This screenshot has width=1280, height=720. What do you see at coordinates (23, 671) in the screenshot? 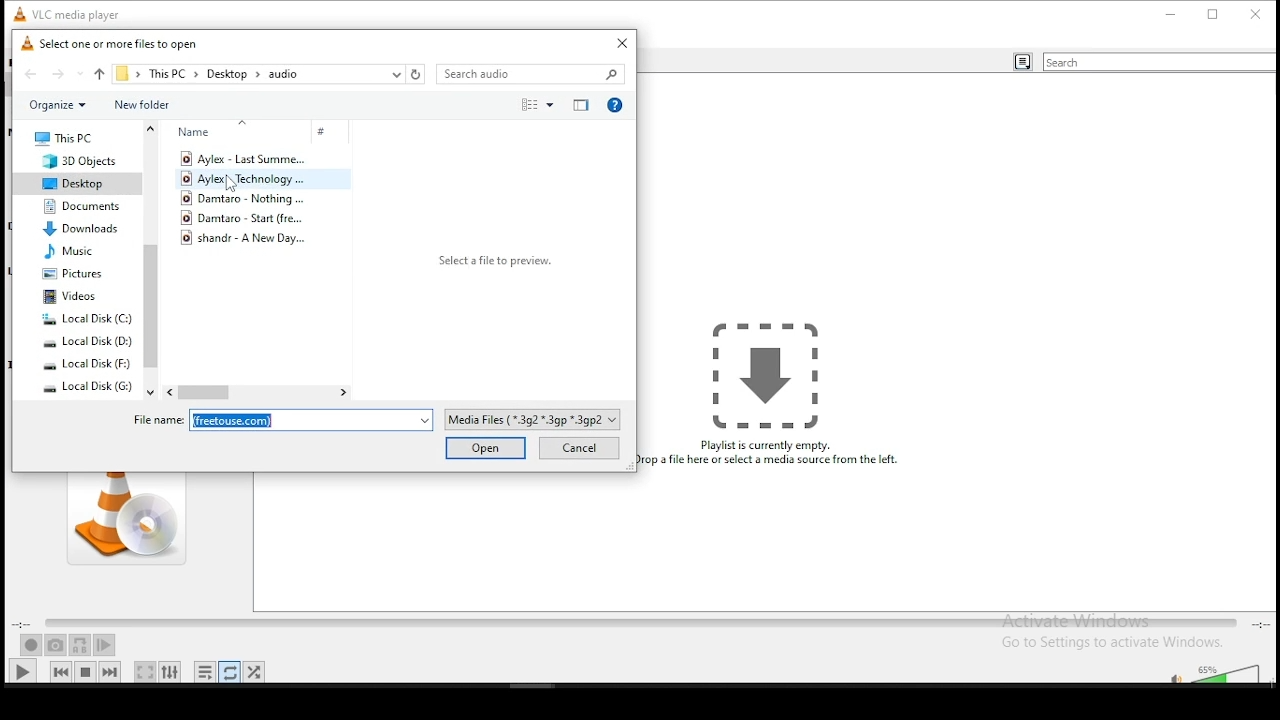
I see `play/pause` at bounding box center [23, 671].